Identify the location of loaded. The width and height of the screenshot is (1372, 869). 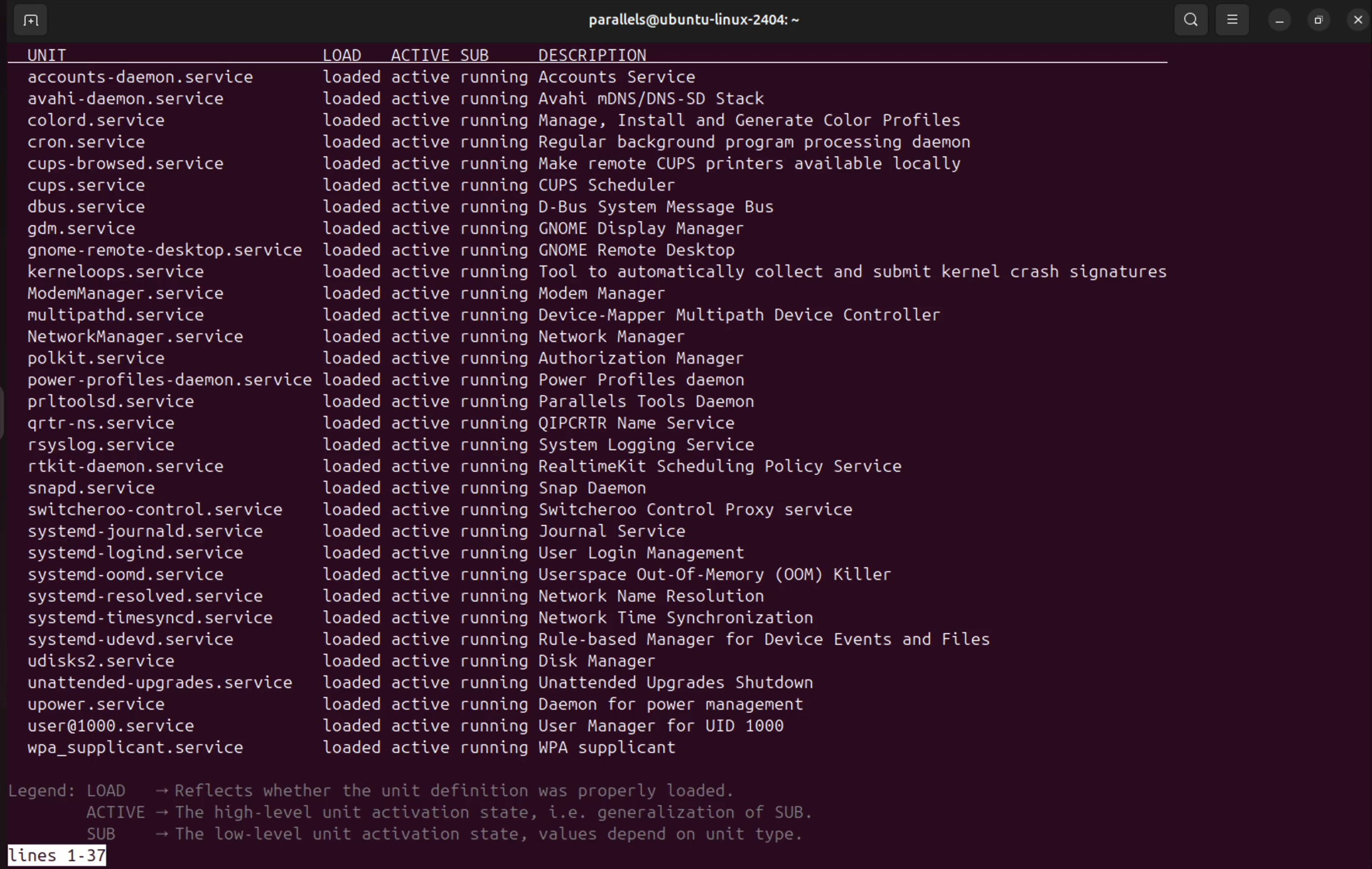
(350, 532).